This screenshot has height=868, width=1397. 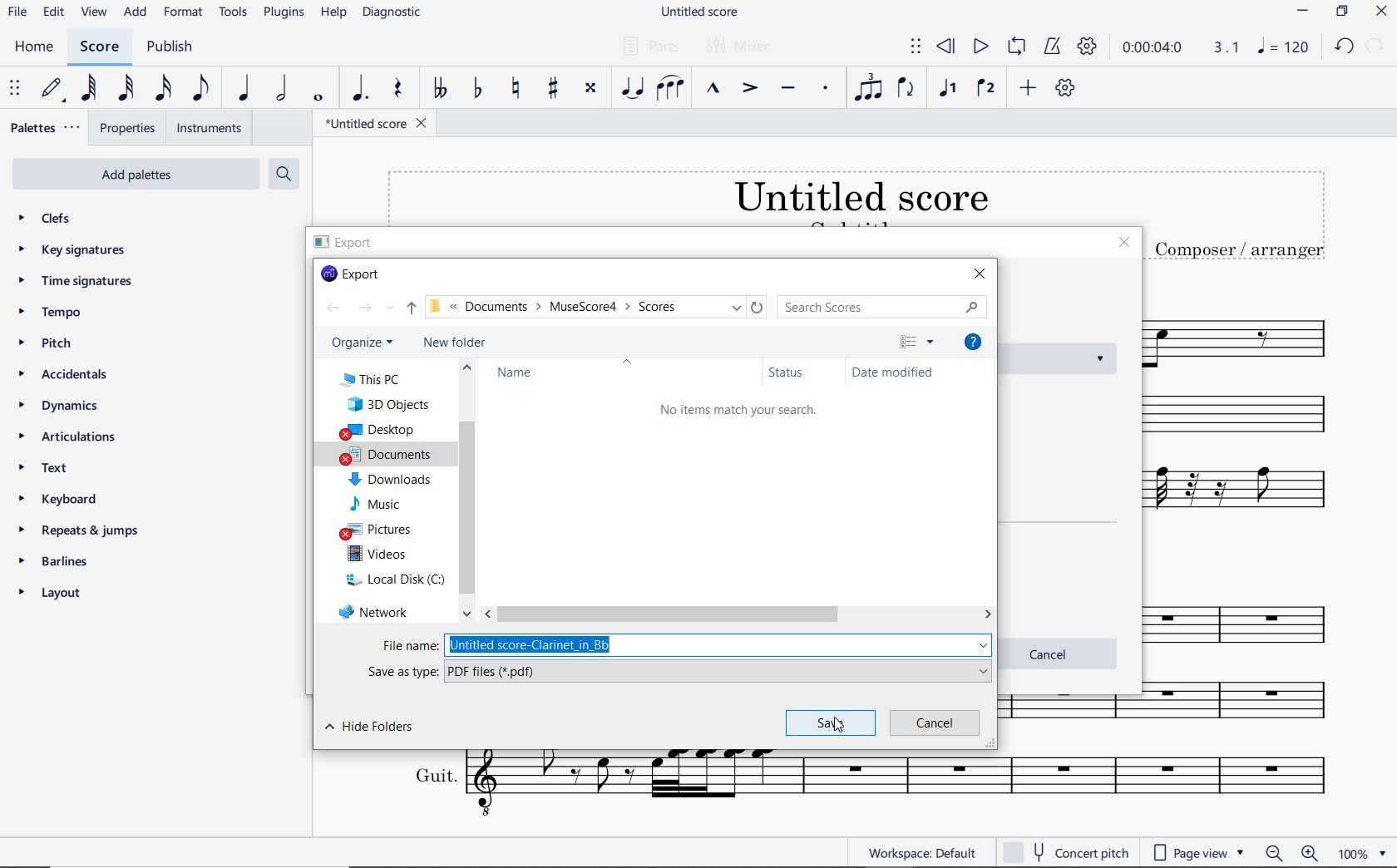 I want to click on documents, so click(x=392, y=455).